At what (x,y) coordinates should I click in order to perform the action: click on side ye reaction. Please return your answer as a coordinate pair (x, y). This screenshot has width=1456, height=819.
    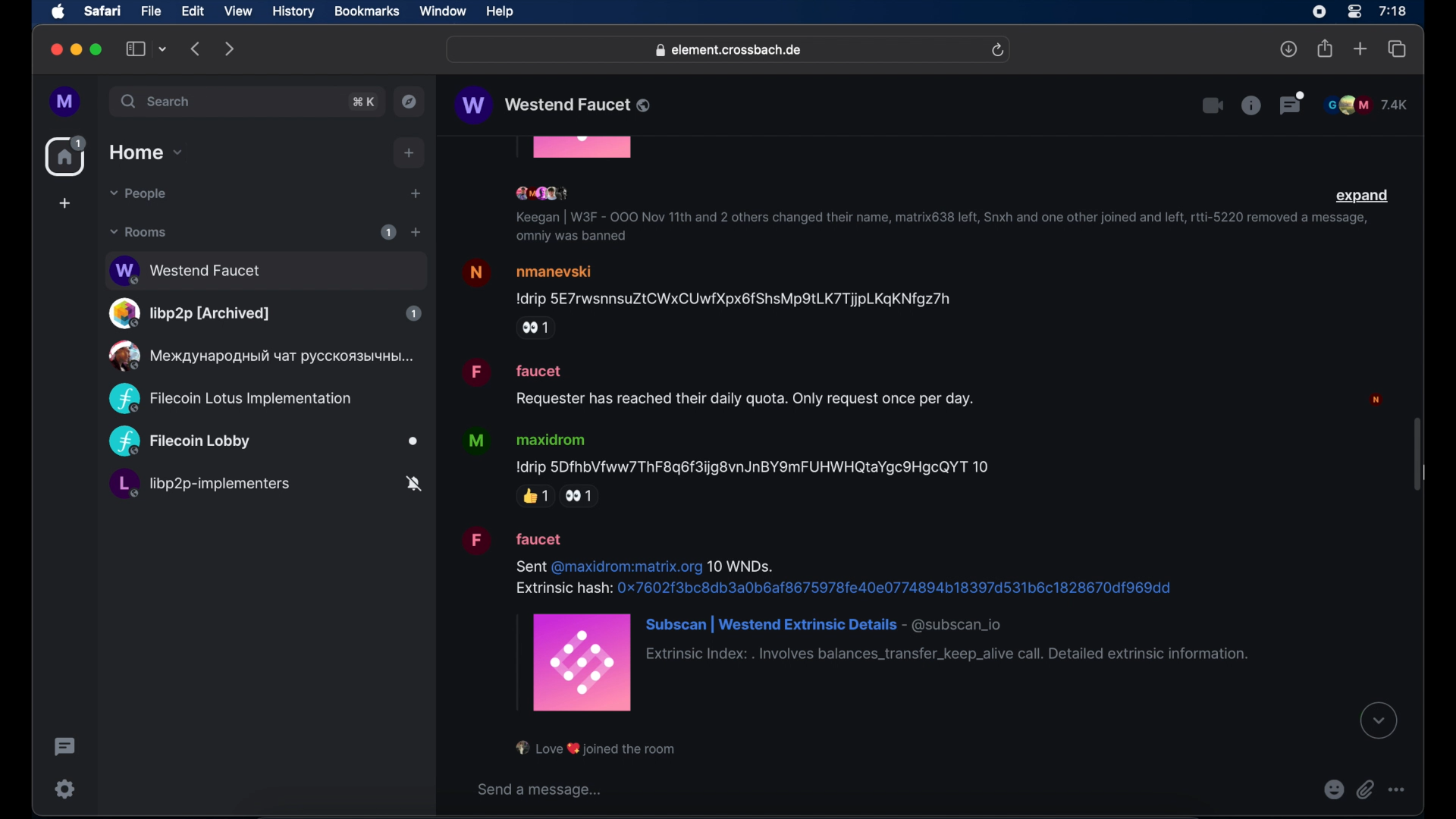
    Looking at the image, I should click on (583, 497).